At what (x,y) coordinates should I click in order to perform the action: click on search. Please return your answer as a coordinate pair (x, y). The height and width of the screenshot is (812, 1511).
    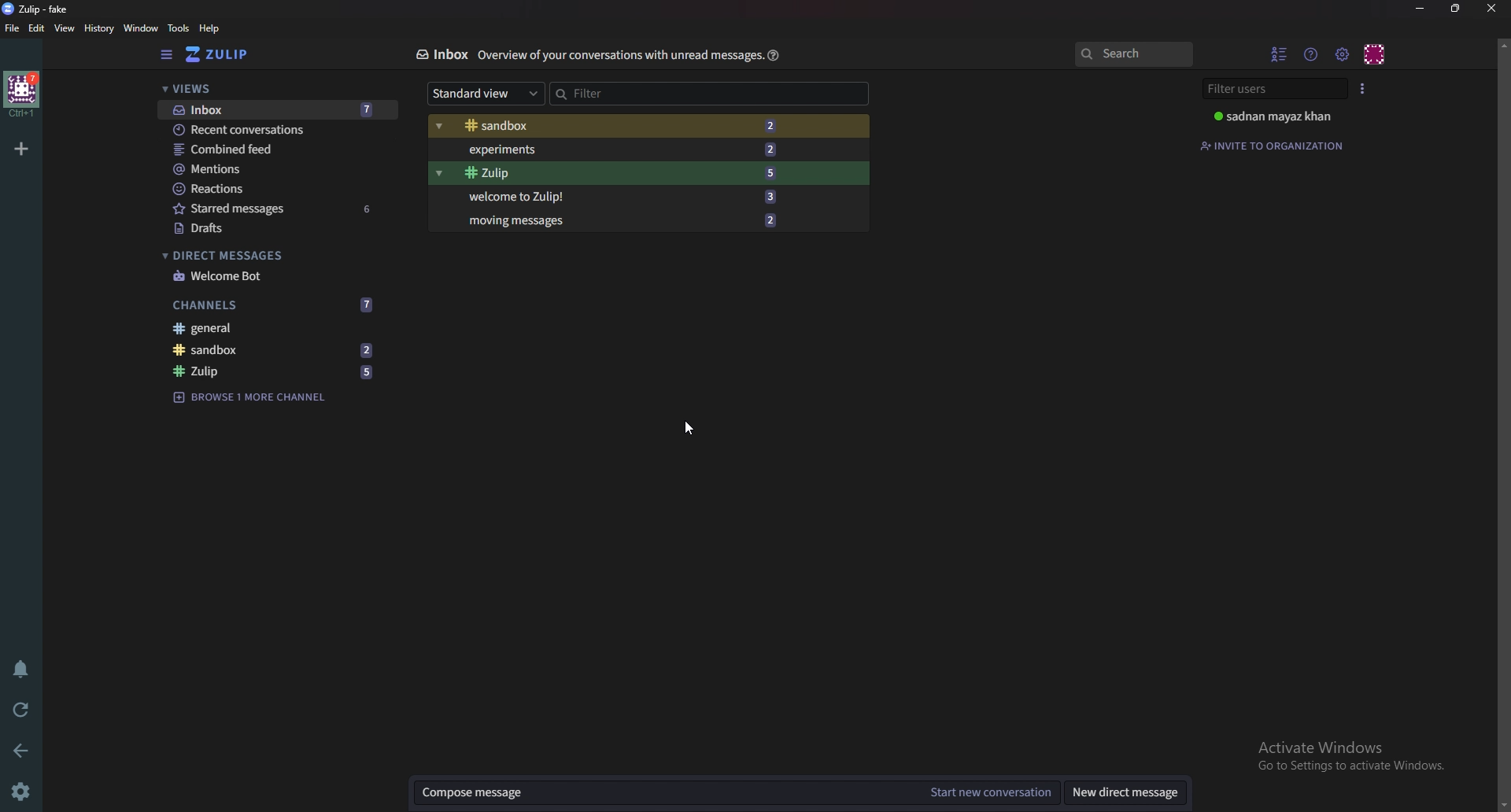
    Looking at the image, I should click on (1132, 54).